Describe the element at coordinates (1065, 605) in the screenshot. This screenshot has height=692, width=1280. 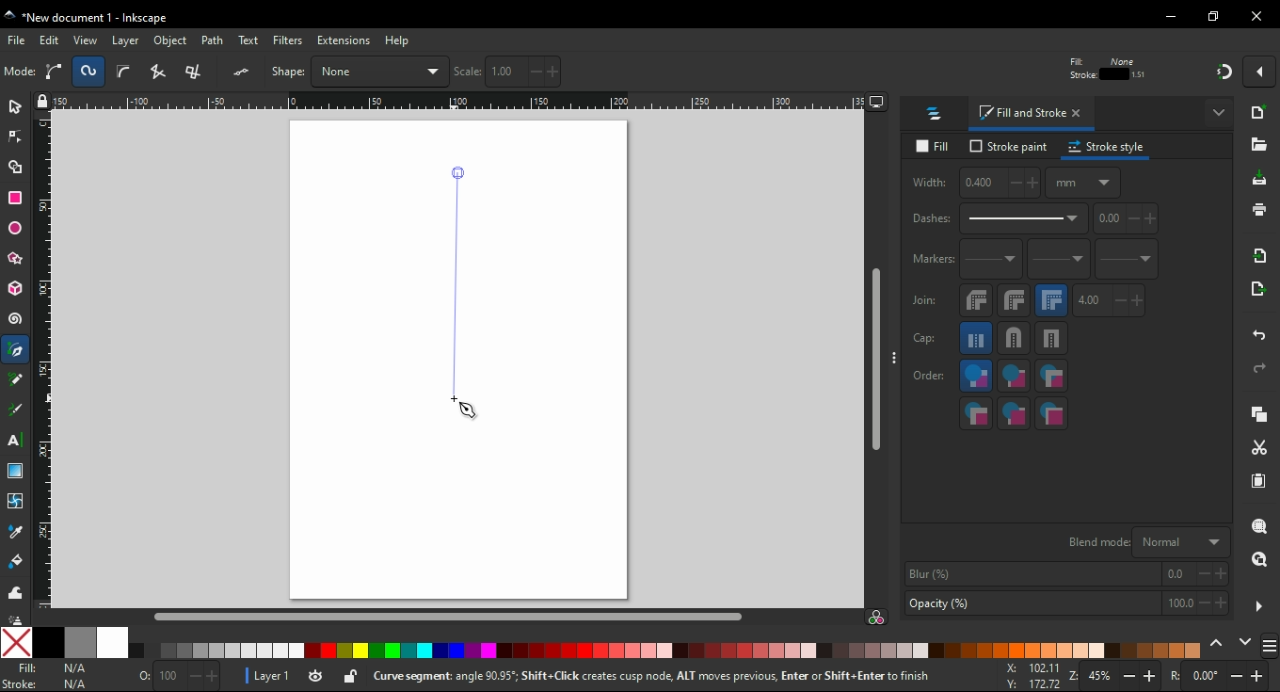
I see `opacity` at that location.